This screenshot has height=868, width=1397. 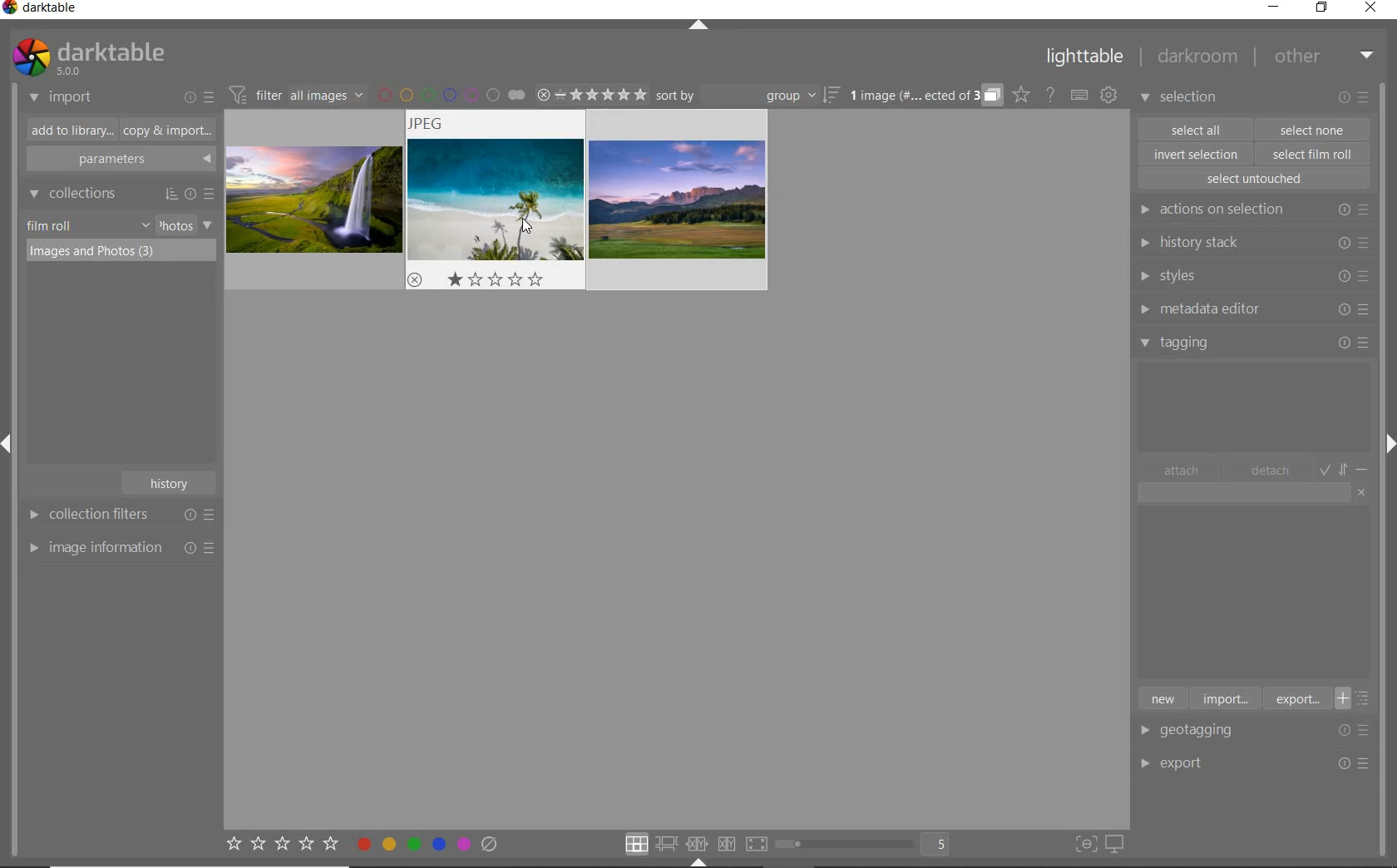 What do you see at coordinates (451, 94) in the screenshot?
I see `filter by image color label` at bounding box center [451, 94].